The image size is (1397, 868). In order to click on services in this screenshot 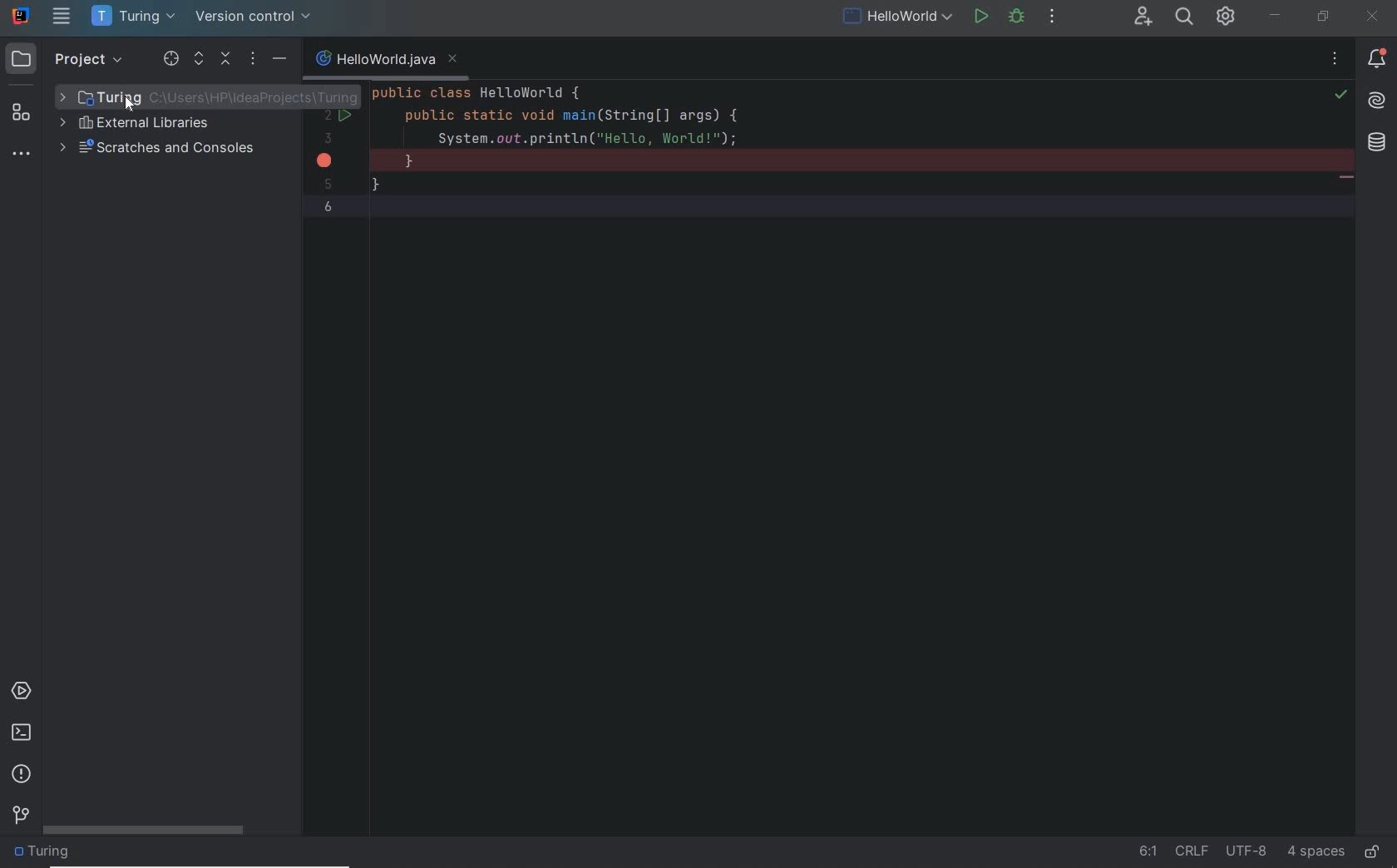, I will do `click(20, 691)`.